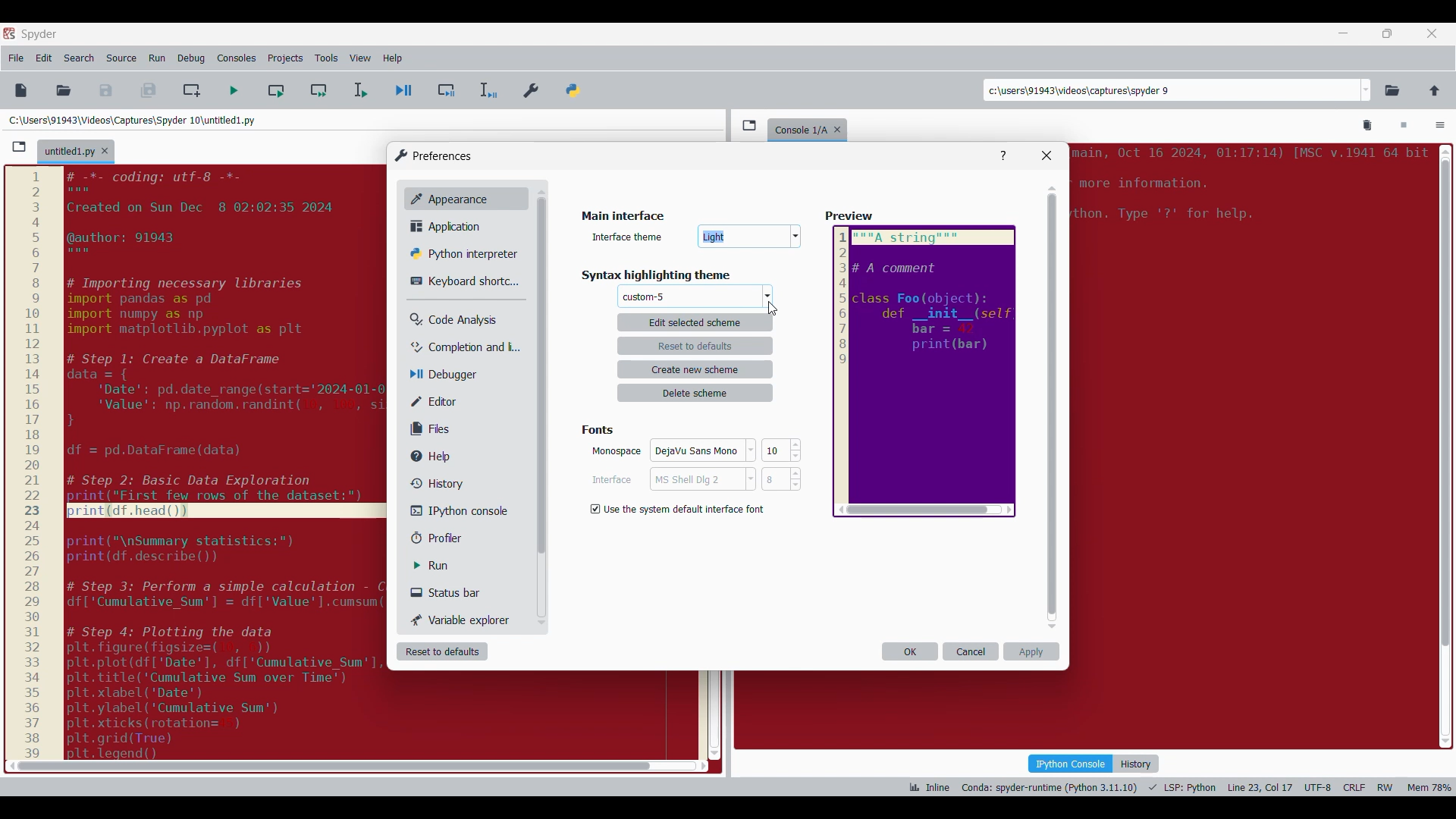  Describe the element at coordinates (285, 58) in the screenshot. I see `Projects menu` at that location.